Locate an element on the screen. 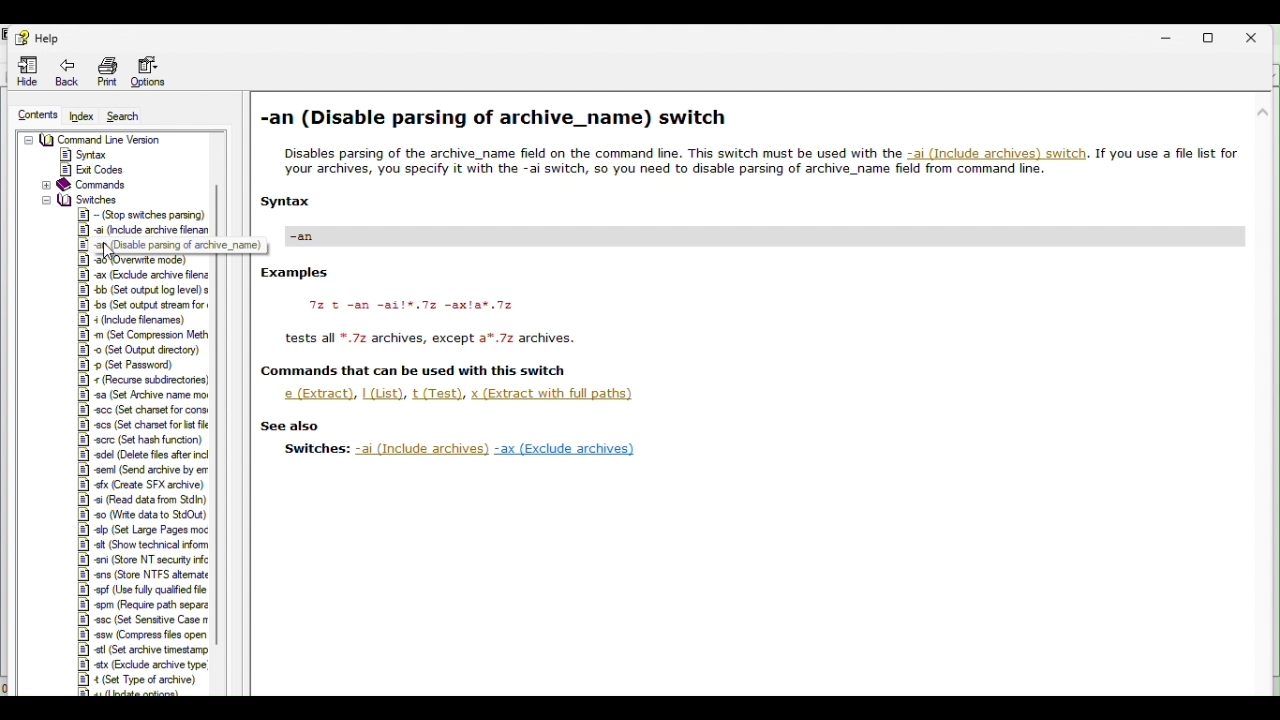 The image size is (1280, 720). Hide is located at coordinates (20, 71).